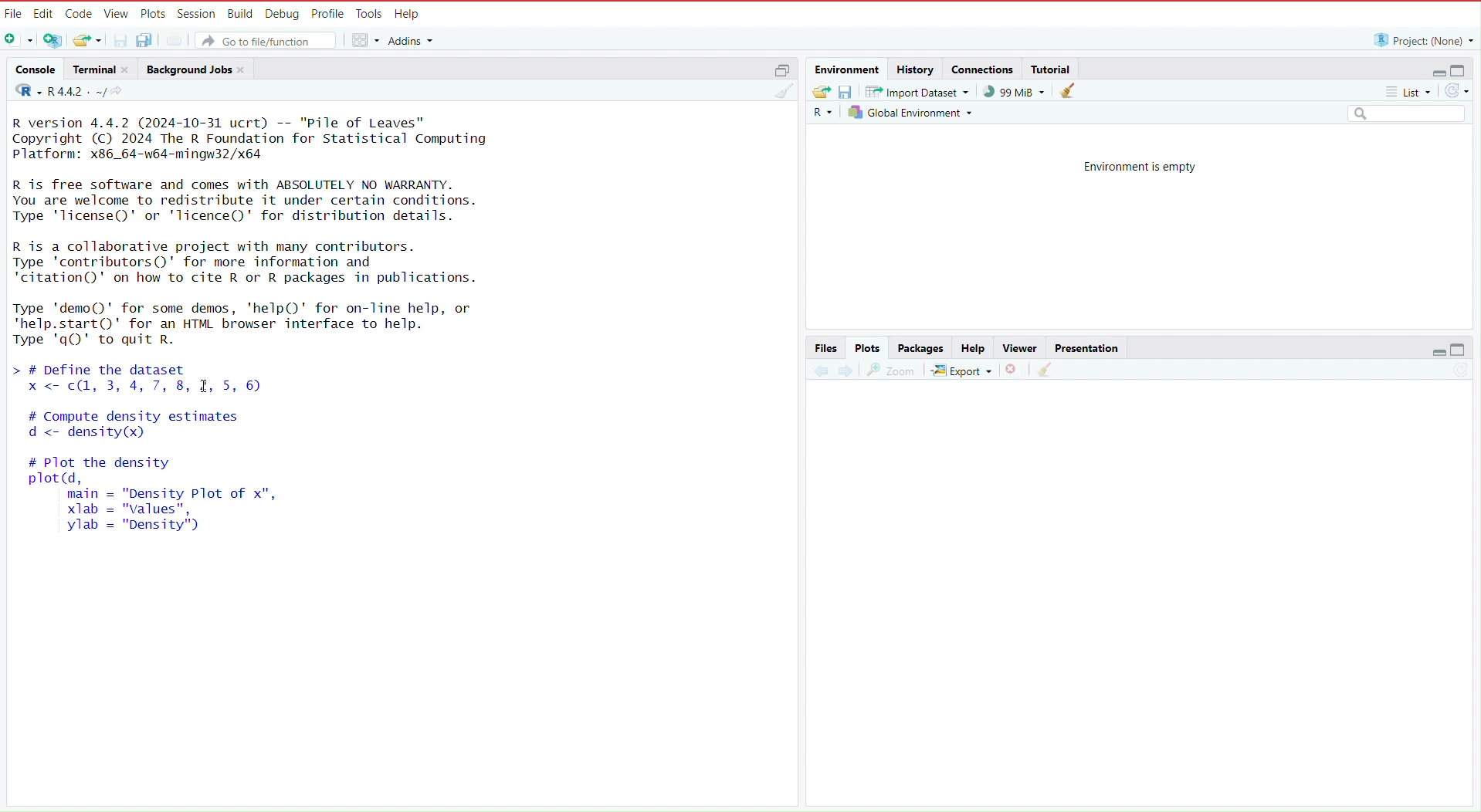 The width and height of the screenshot is (1481, 812). Describe the element at coordinates (913, 116) in the screenshot. I see `global environment` at that location.